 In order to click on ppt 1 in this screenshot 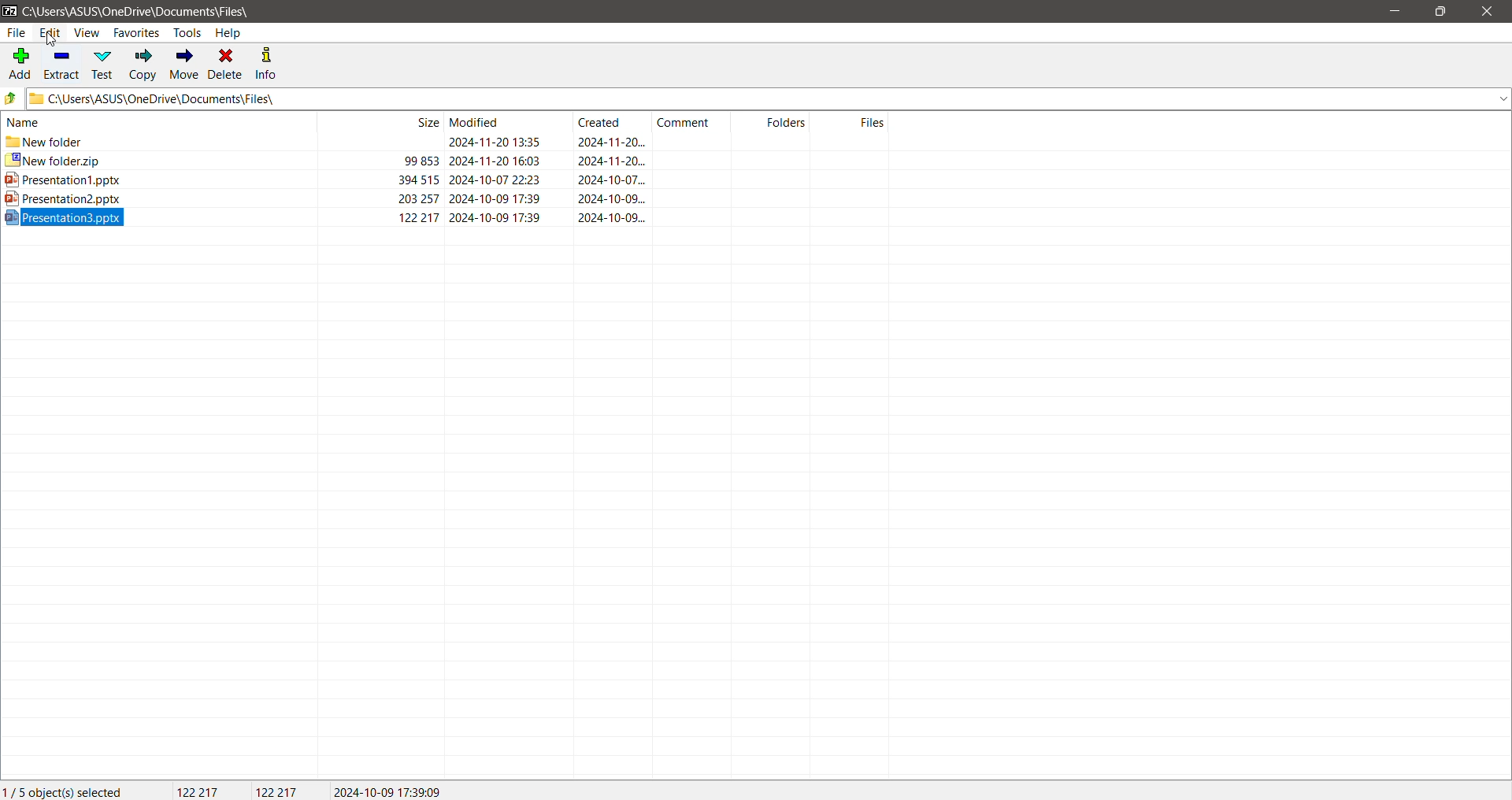, I will do `click(446, 180)`.